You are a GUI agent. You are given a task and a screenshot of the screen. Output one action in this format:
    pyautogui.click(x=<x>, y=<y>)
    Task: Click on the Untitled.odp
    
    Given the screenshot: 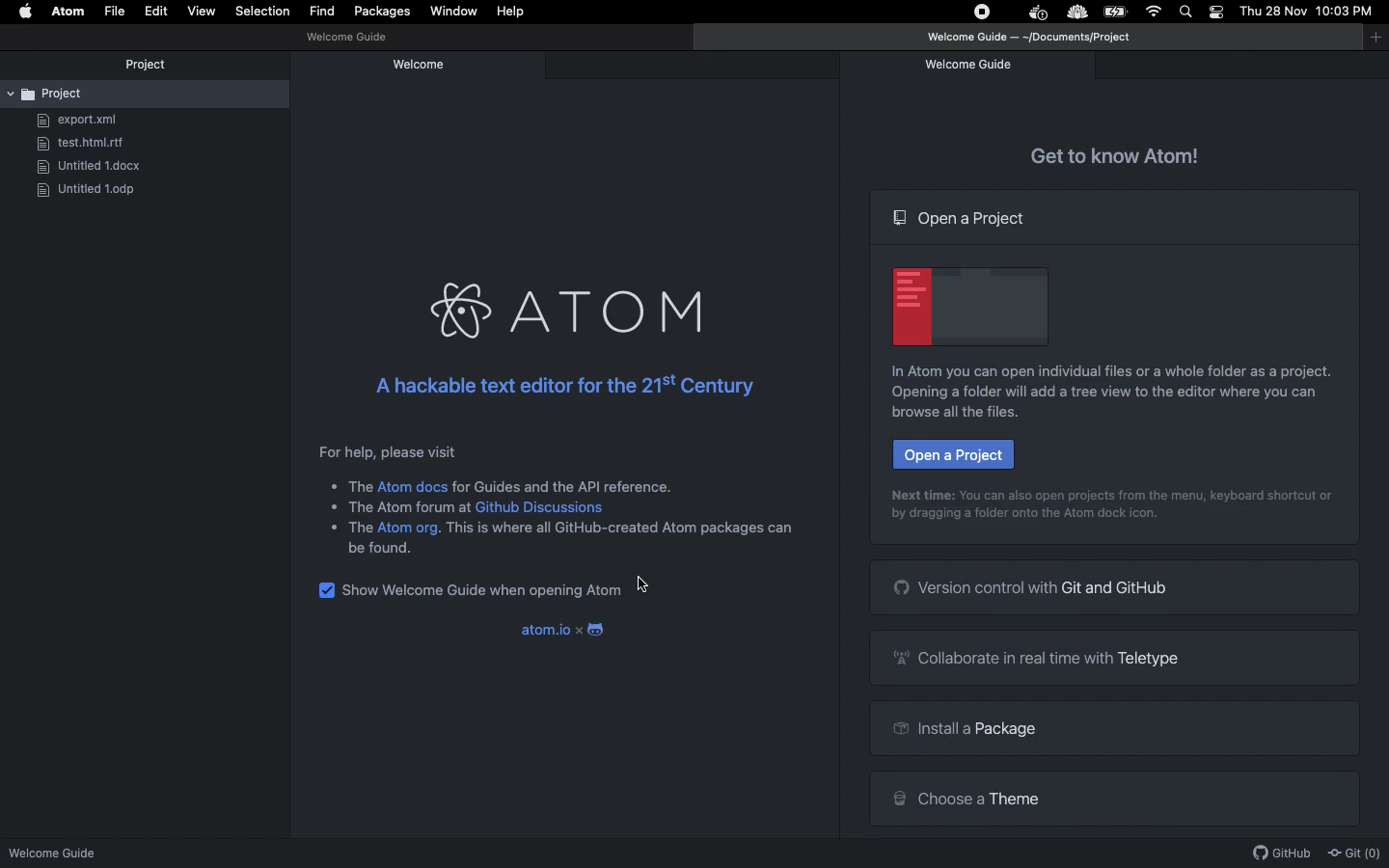 What is the action you would take?
    pyautogui.click(x=91, y=190)
    